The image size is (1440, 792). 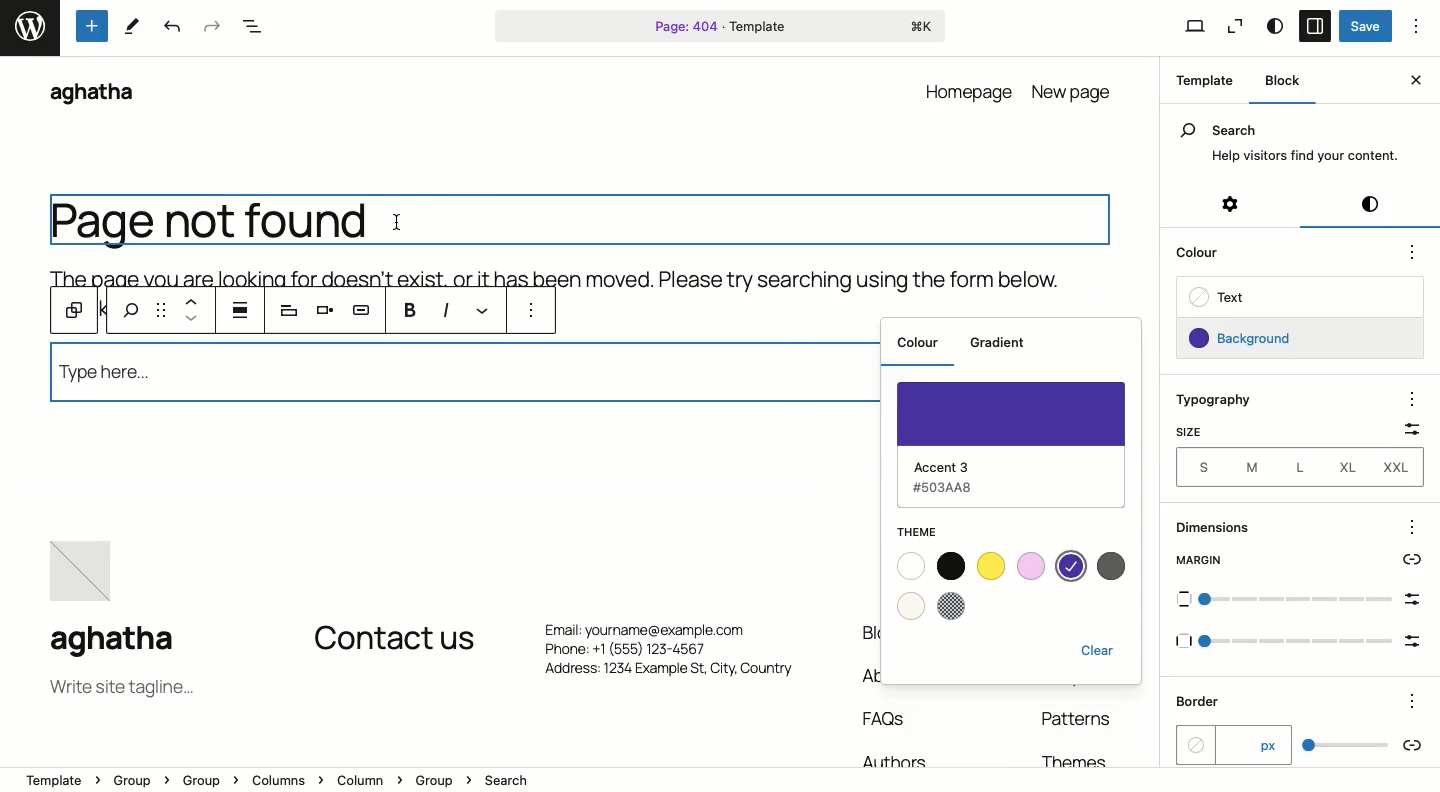 What do you see at coordinates (1201, 256) in the screenshot?
I see `Color` at bounding box center [1201, 256].